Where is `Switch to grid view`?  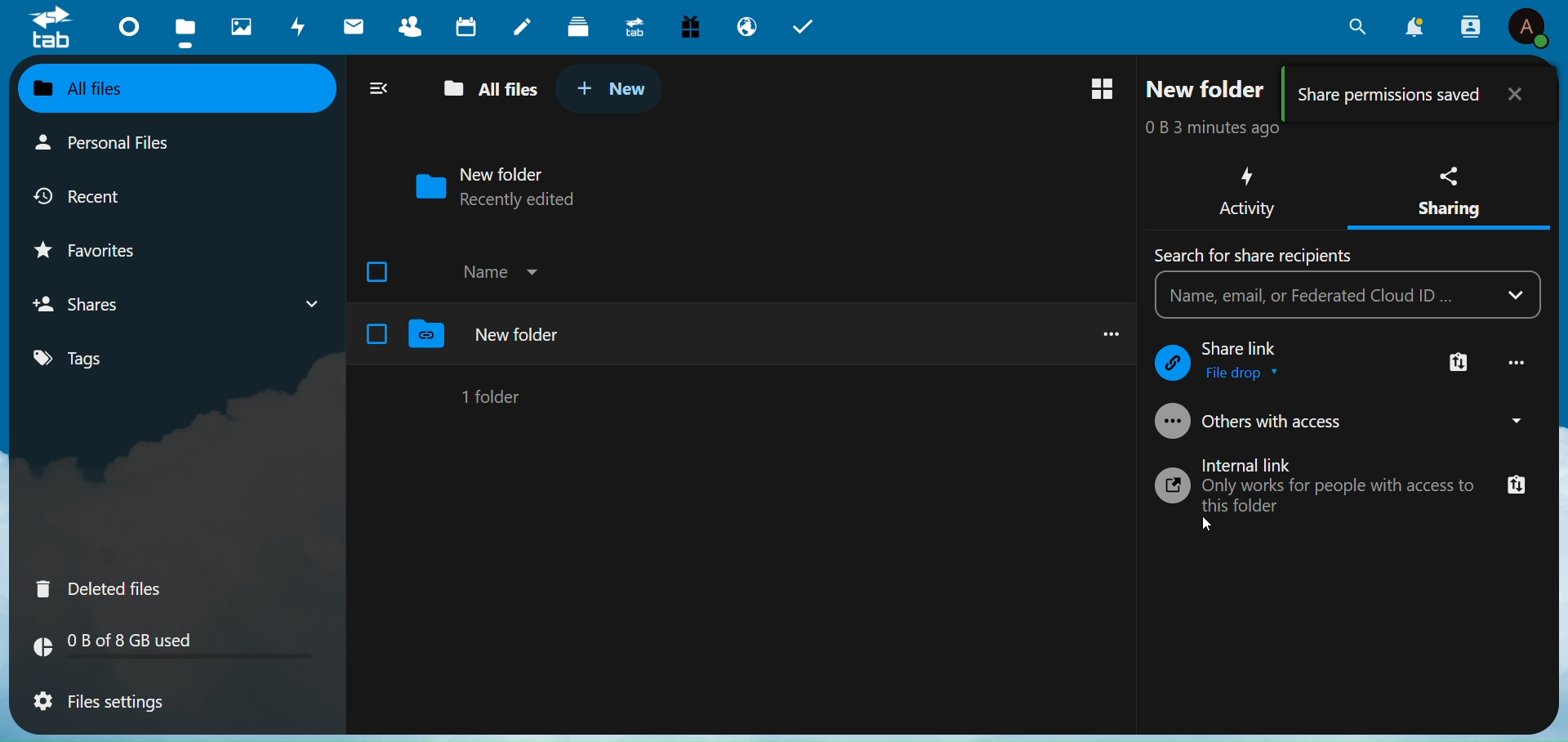
Switch to grid view is located at coordinates (1103, 89).